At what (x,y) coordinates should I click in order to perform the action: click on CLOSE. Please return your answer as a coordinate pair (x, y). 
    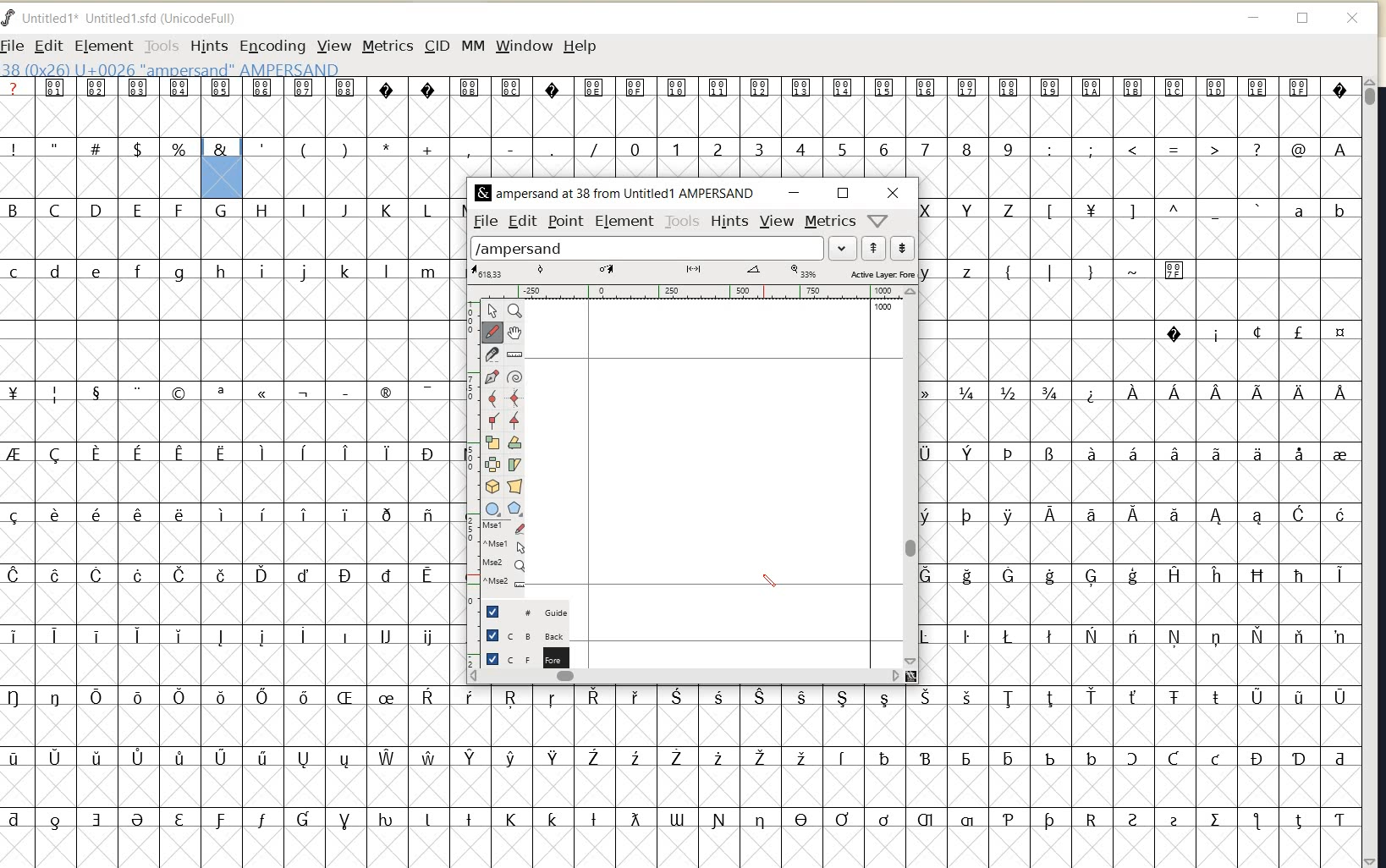
    Looking at the image, I should click on (896, 192).